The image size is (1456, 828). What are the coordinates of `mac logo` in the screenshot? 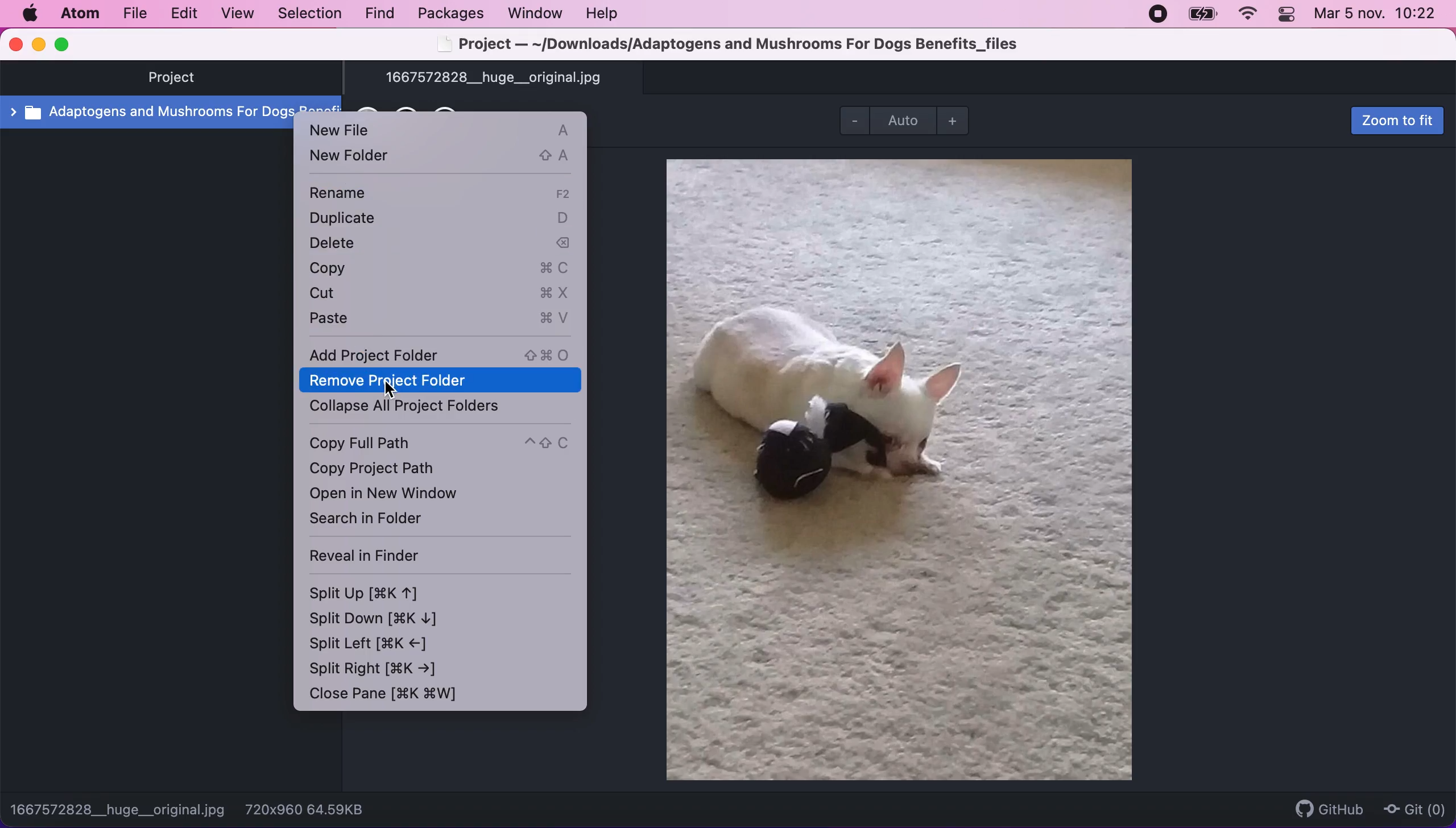 It's located at (29, 13).